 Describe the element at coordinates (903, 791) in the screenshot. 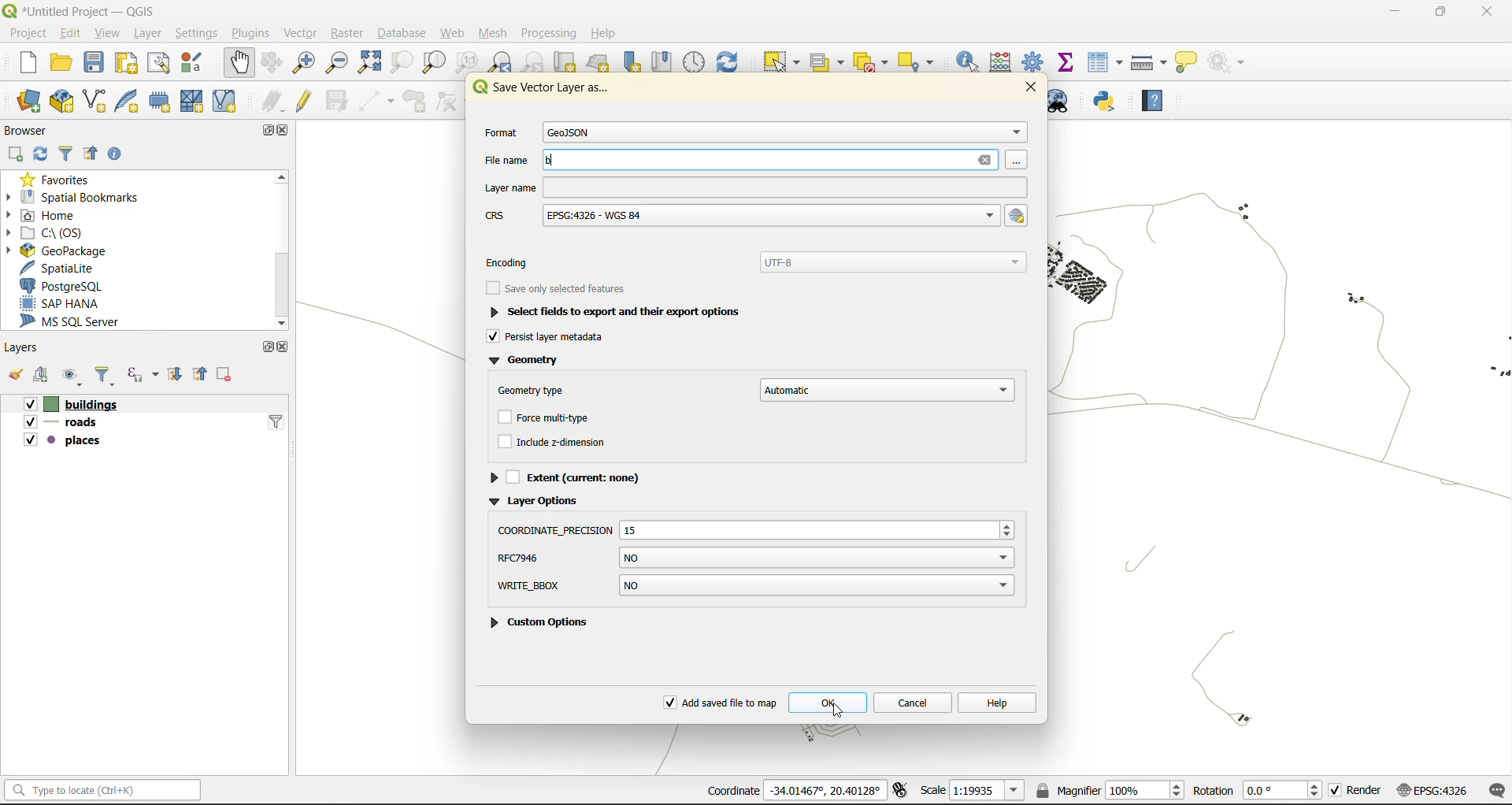

I see `toggle extents` at that location.